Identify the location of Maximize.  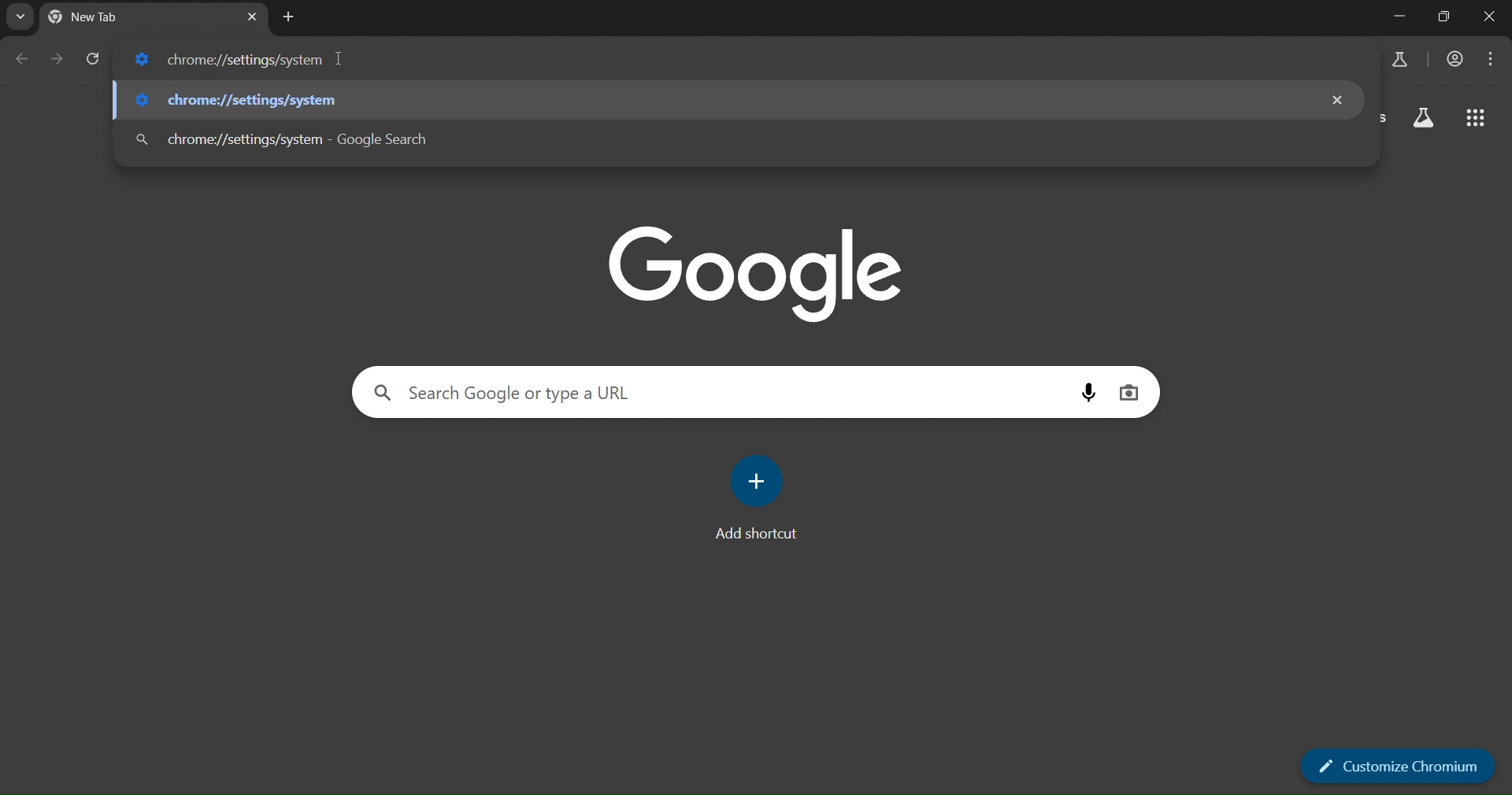
(1445, 17).